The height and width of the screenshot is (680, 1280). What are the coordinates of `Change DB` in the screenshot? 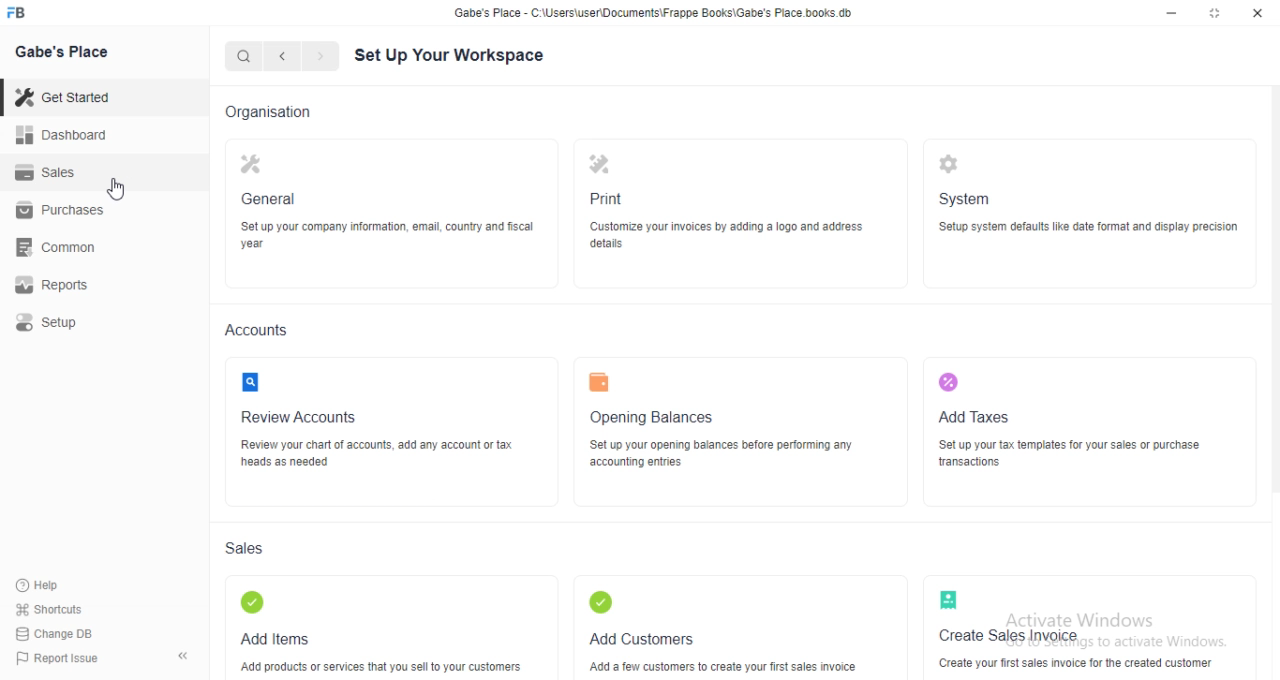 It's located at (57, 634).